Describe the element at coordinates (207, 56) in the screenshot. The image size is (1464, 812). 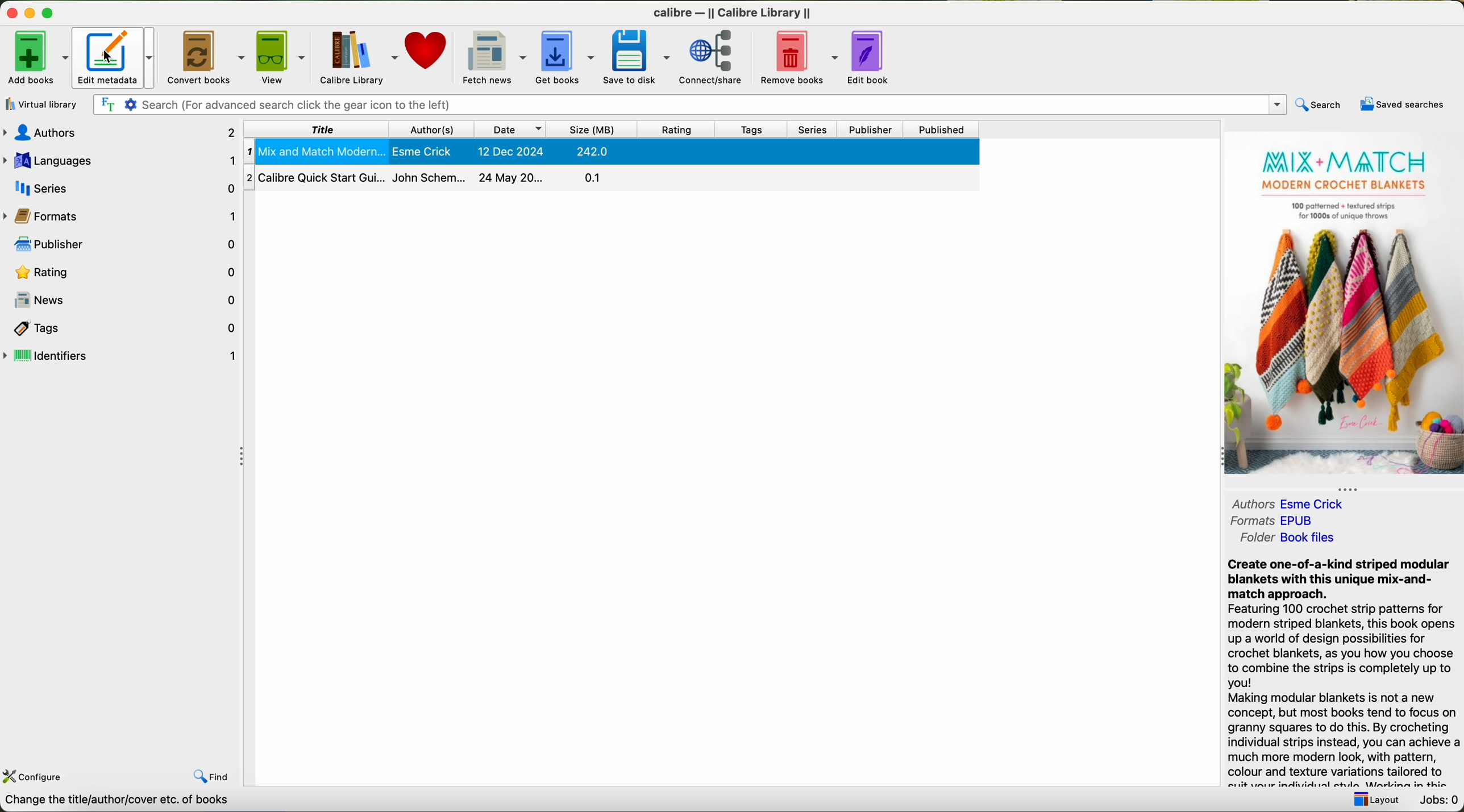
I see `convert books` at that location.